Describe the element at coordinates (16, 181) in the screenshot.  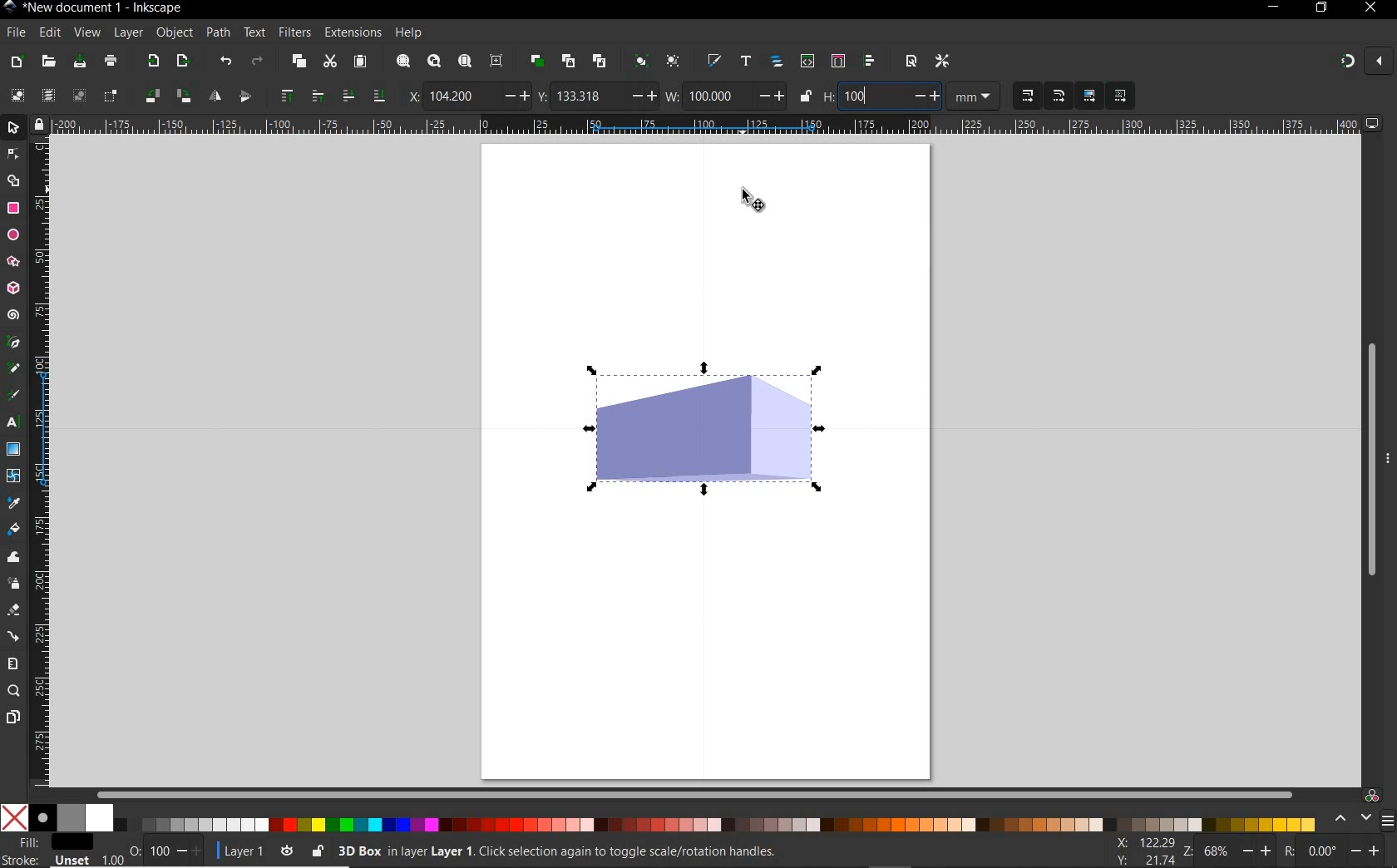
I see `shape builder tool` at that location.